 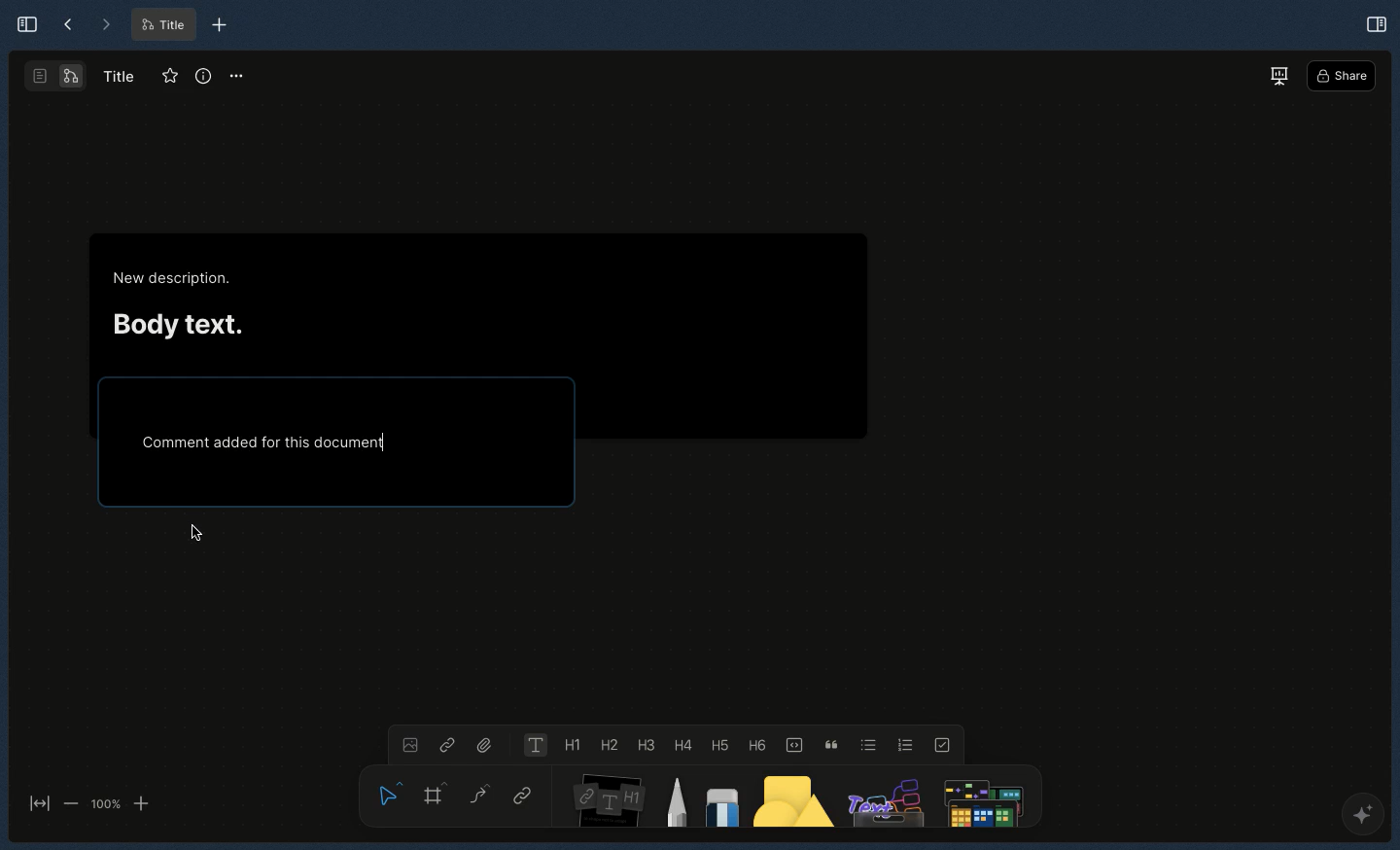 I want to click on Heading 6, so click(x=755, y=744).